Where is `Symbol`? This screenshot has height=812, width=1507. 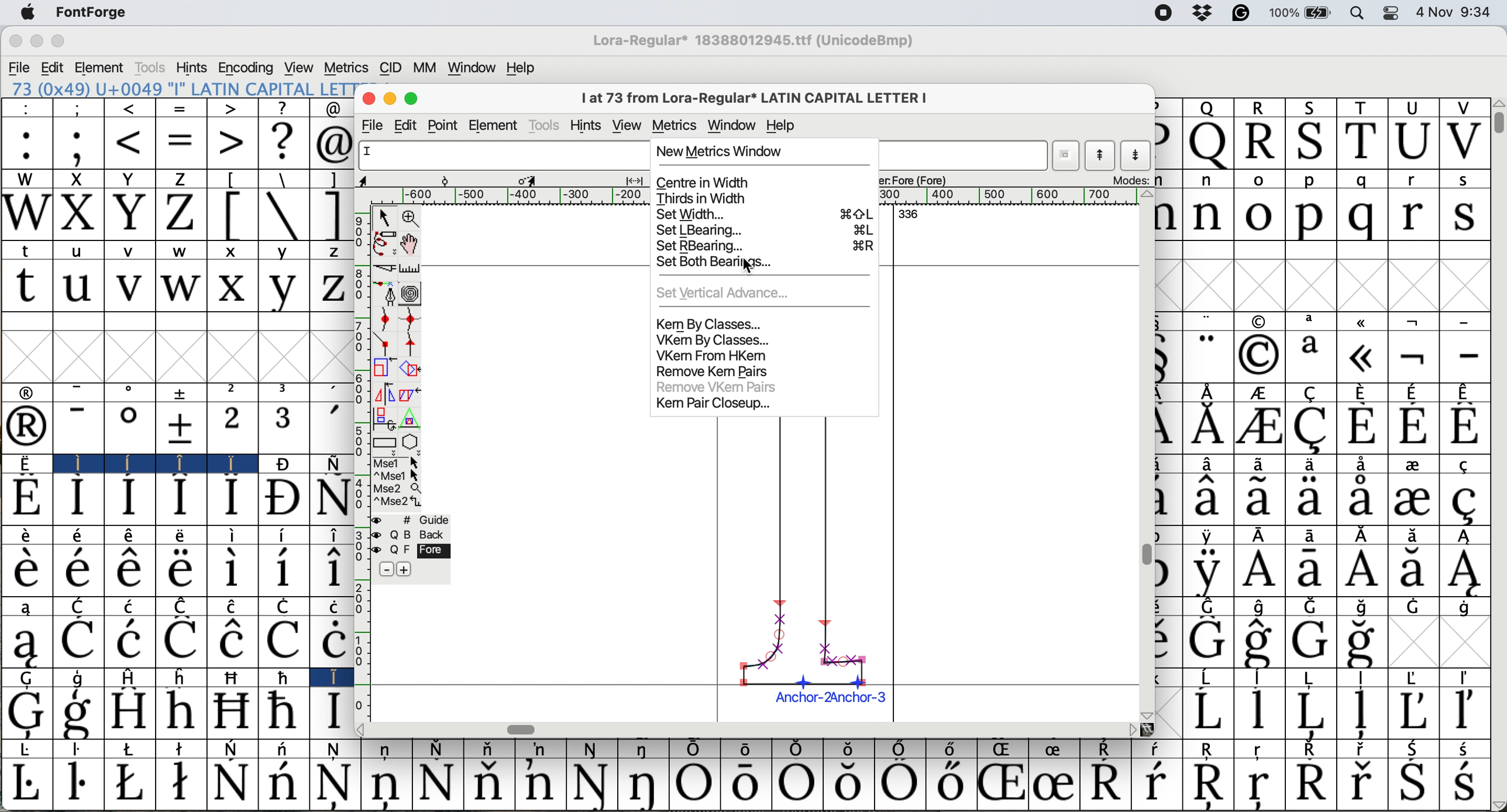
Symbol is located at coordinates (129, 499).